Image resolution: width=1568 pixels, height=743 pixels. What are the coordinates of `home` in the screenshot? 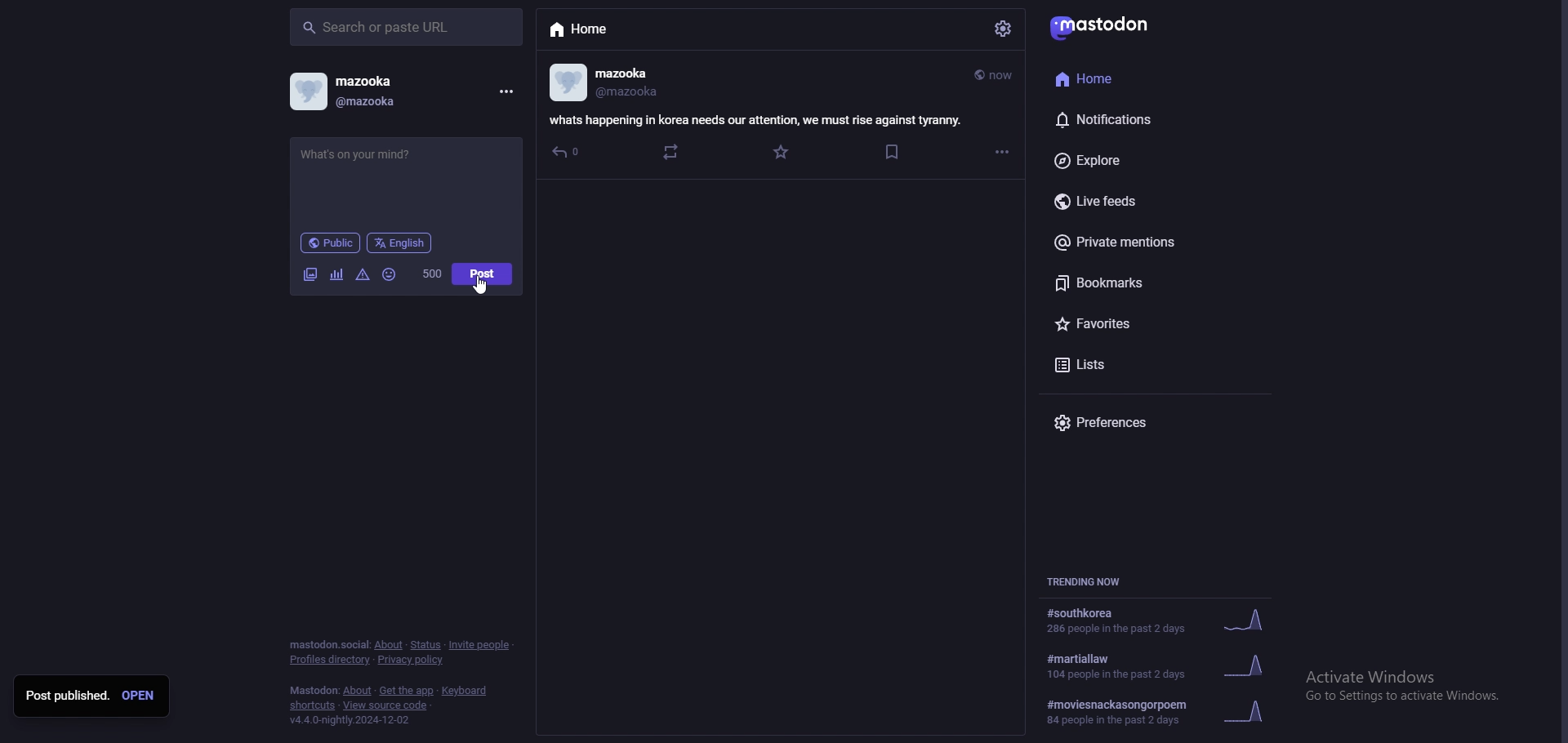 It's located at (1125, 77).